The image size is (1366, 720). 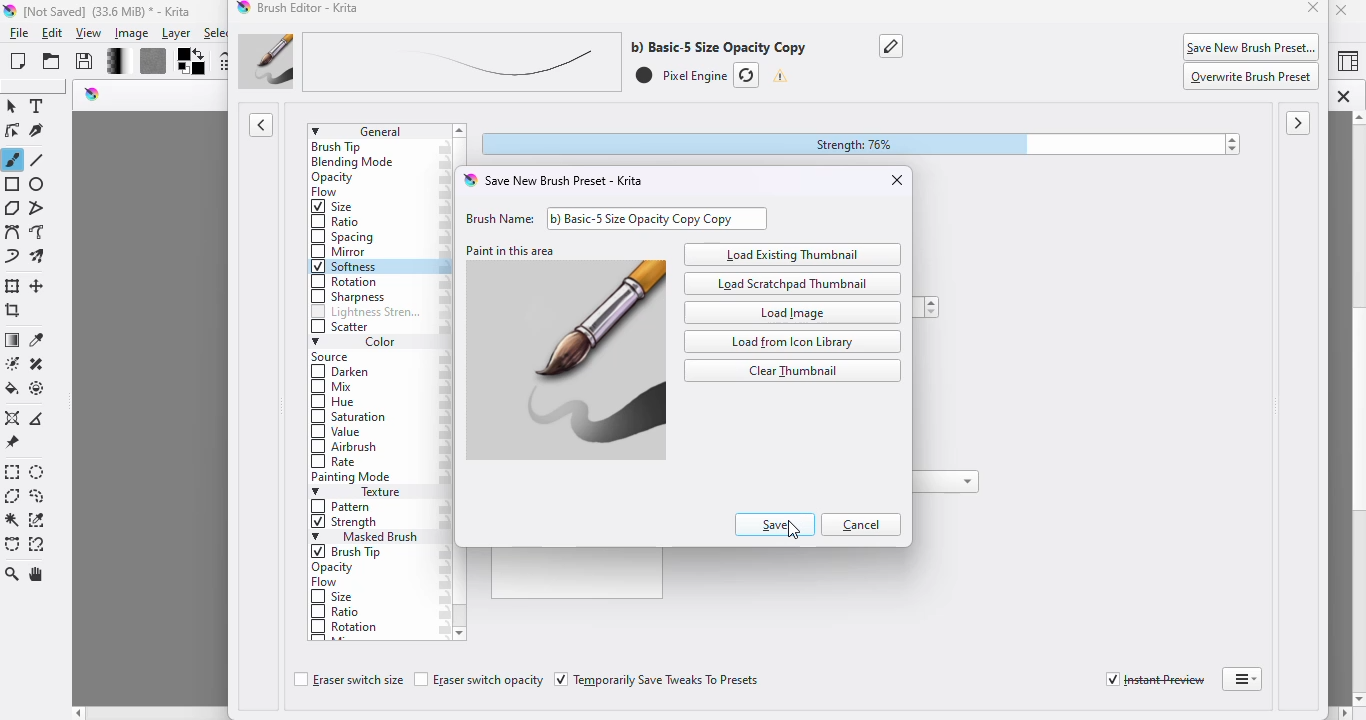 What do you see at coordinates (792, 312) in the screenshot?
I see `load image` at bounding box center [792, 312].